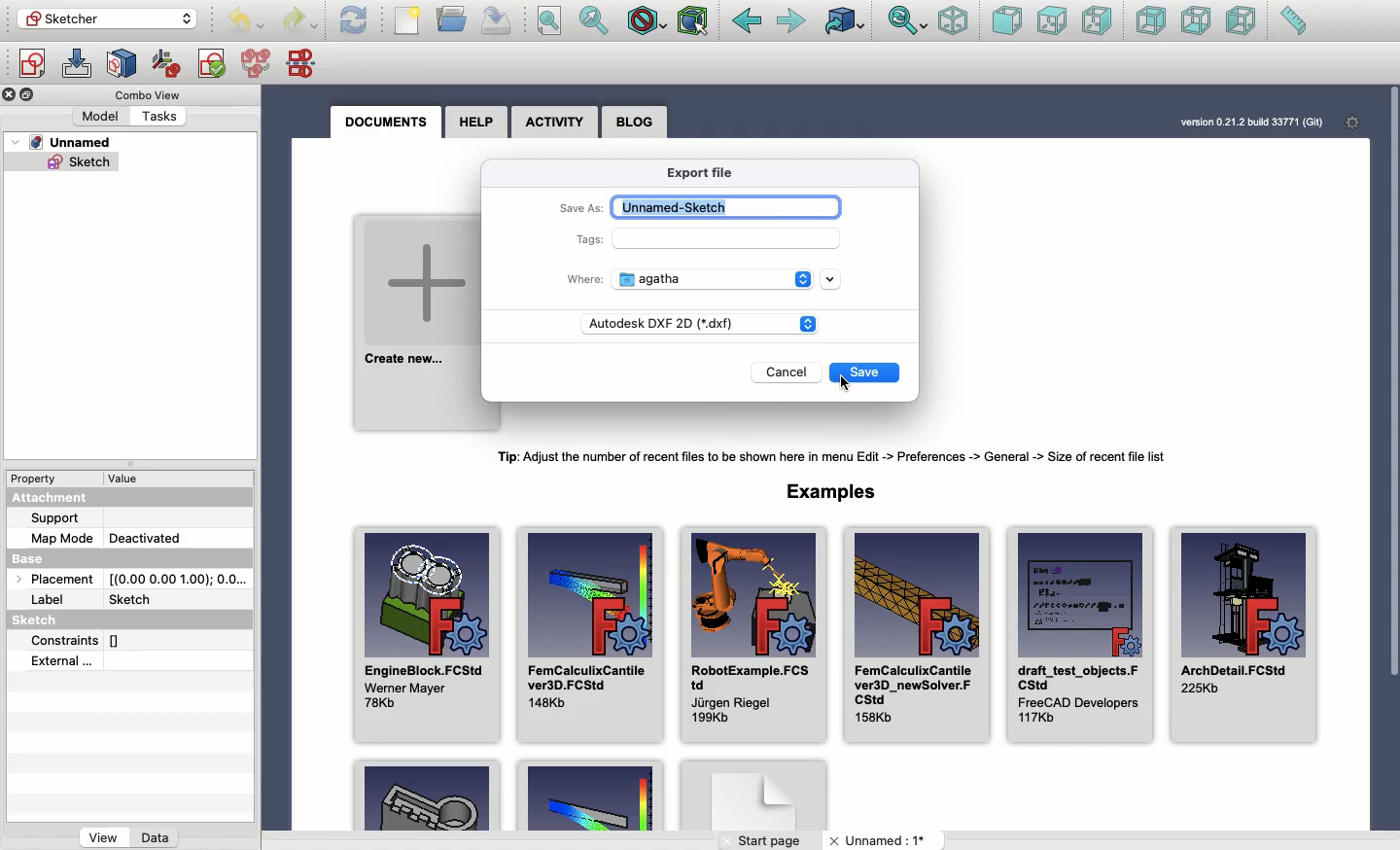 This screenshot has height=850, width=1400. Describe the element at coordinates (726, 207) in the screenshot. I see `Unnamed-sketch` at that location.